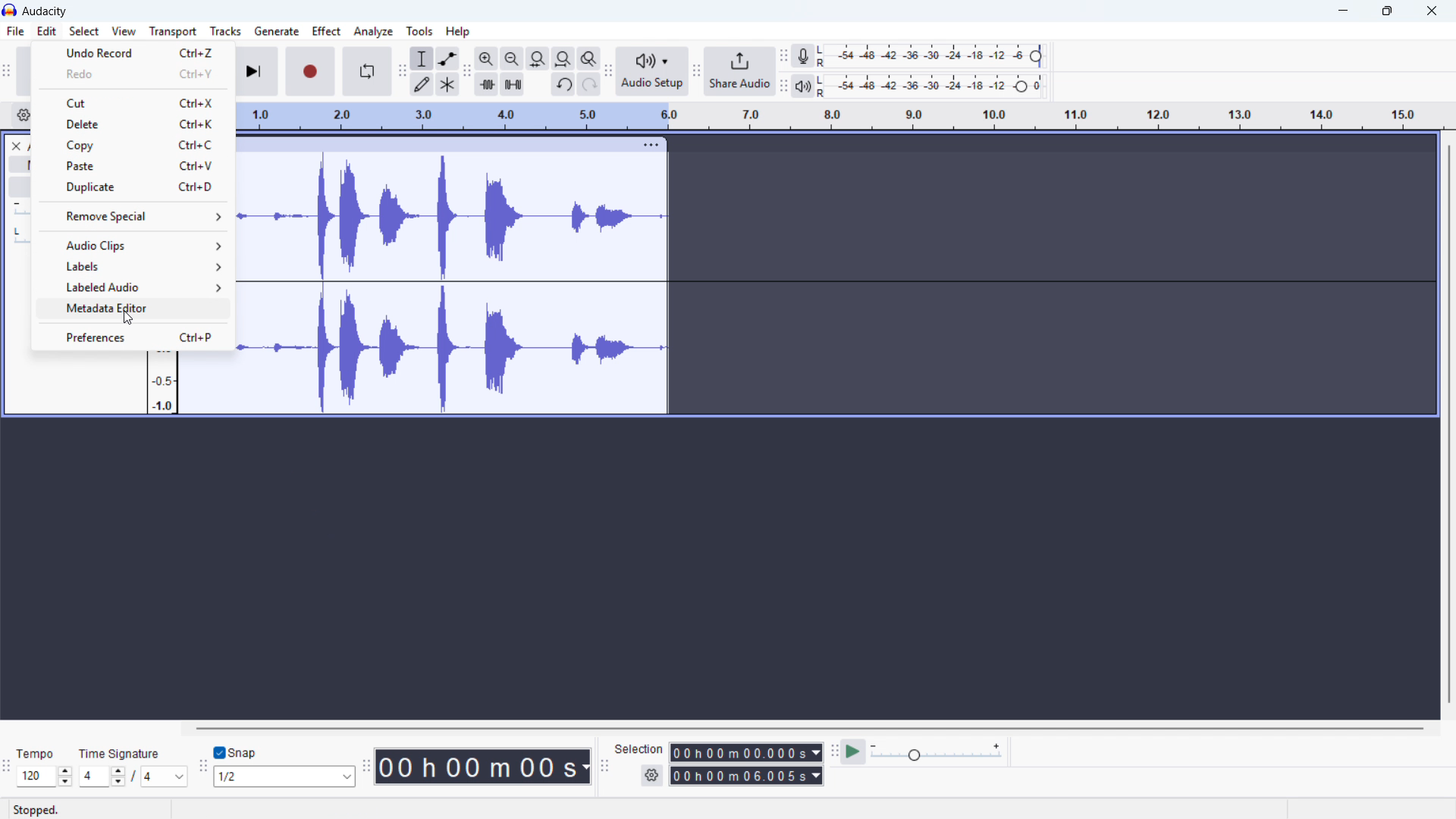  I want to click on playback meter, so click(803, 86).